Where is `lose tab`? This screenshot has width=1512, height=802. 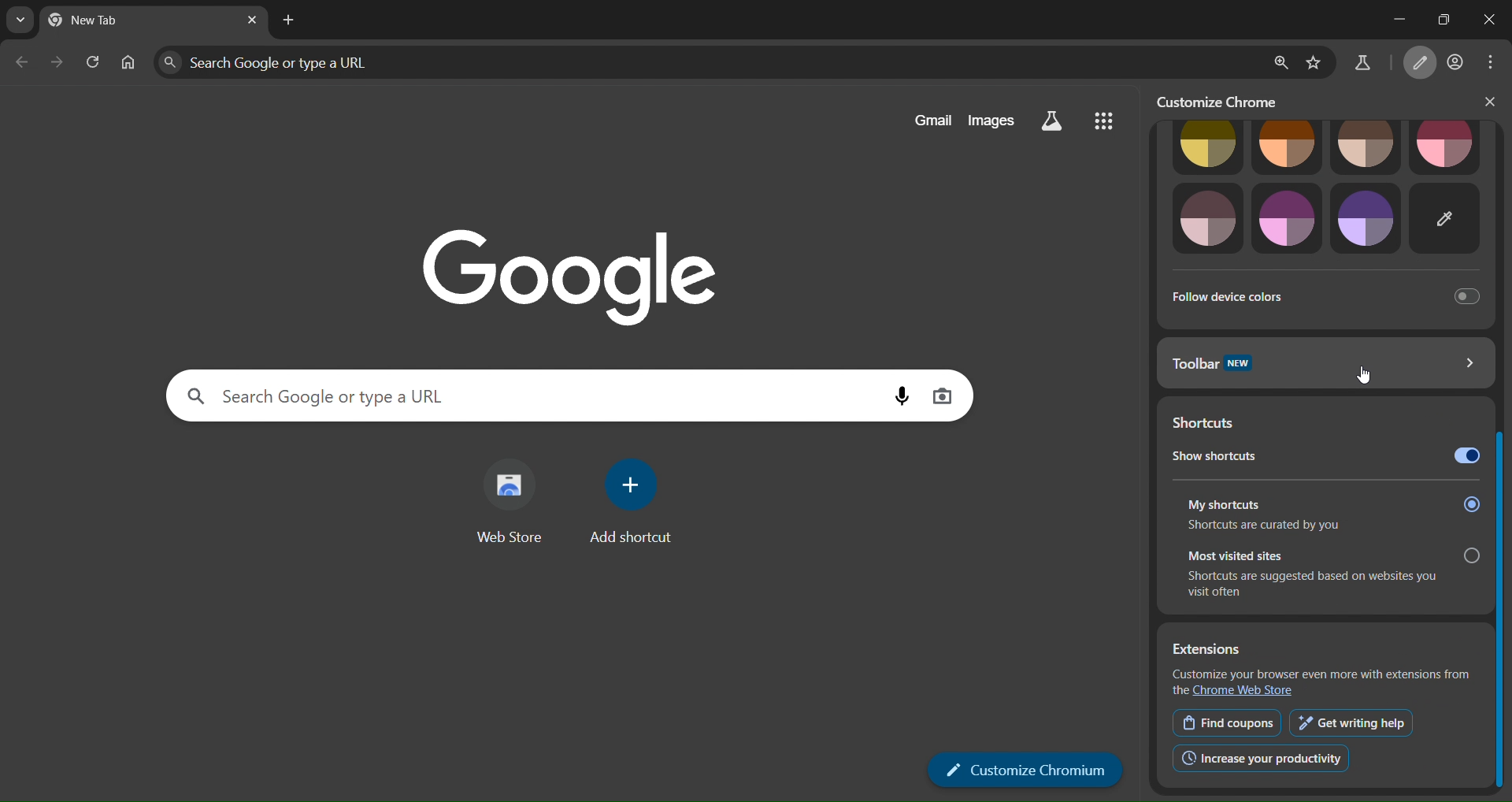
lose tab is located at coordinates (250, 20).